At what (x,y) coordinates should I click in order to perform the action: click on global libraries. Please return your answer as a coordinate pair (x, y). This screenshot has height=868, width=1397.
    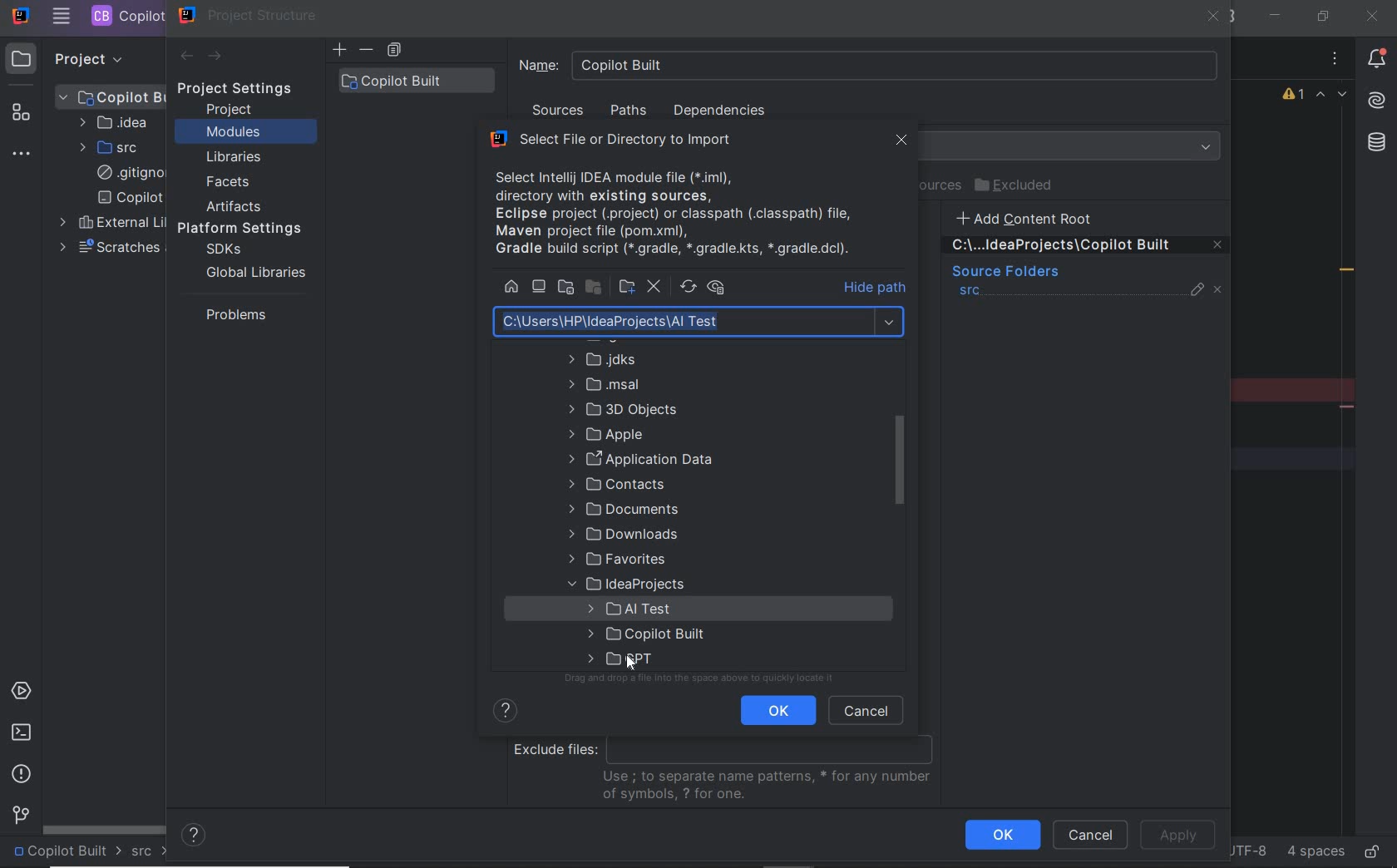
    Looking at the image, I should click on (253, 272).